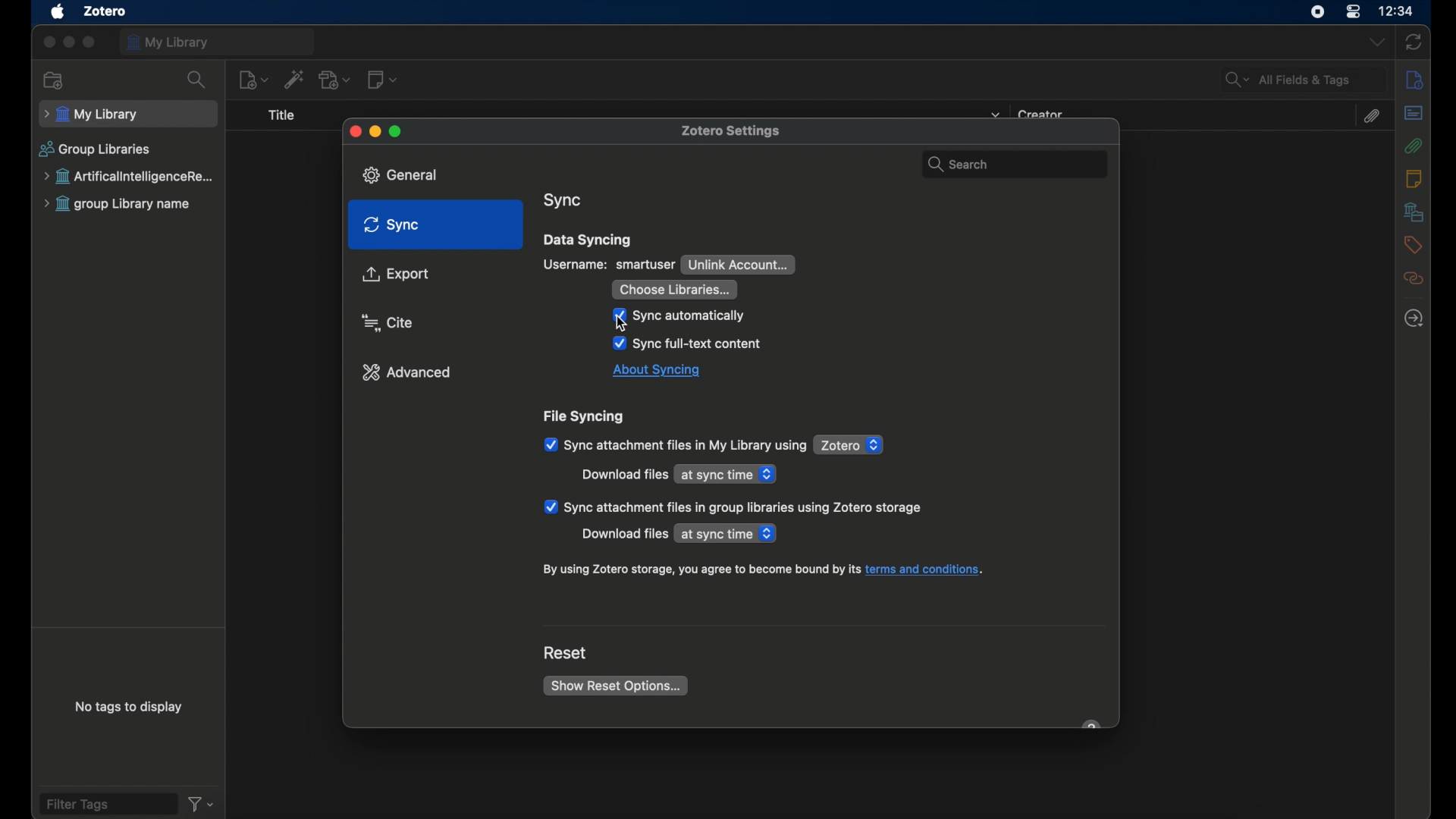  What do you see at coordinates (396, 275) in the screenshot?
I see `export` at bounding box center [396, 275].